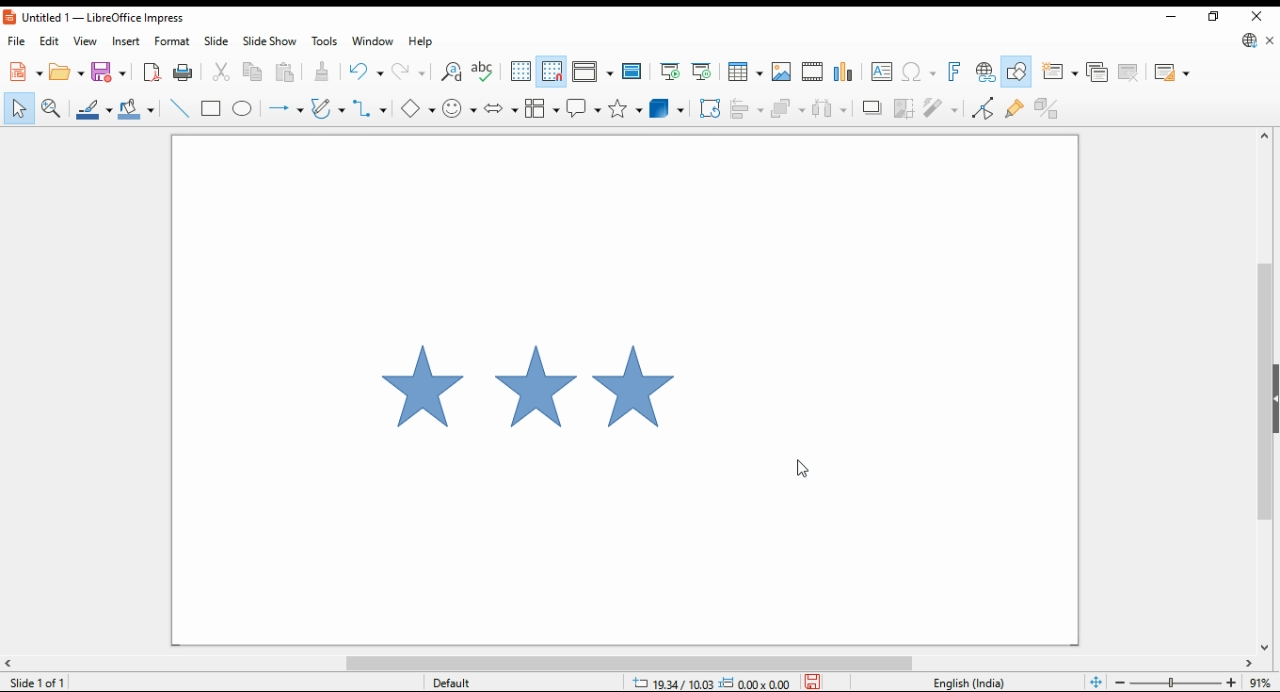 The height and width of the screenshot is (692, 1280). I want to click on libre office updte, so click(1247, 40).